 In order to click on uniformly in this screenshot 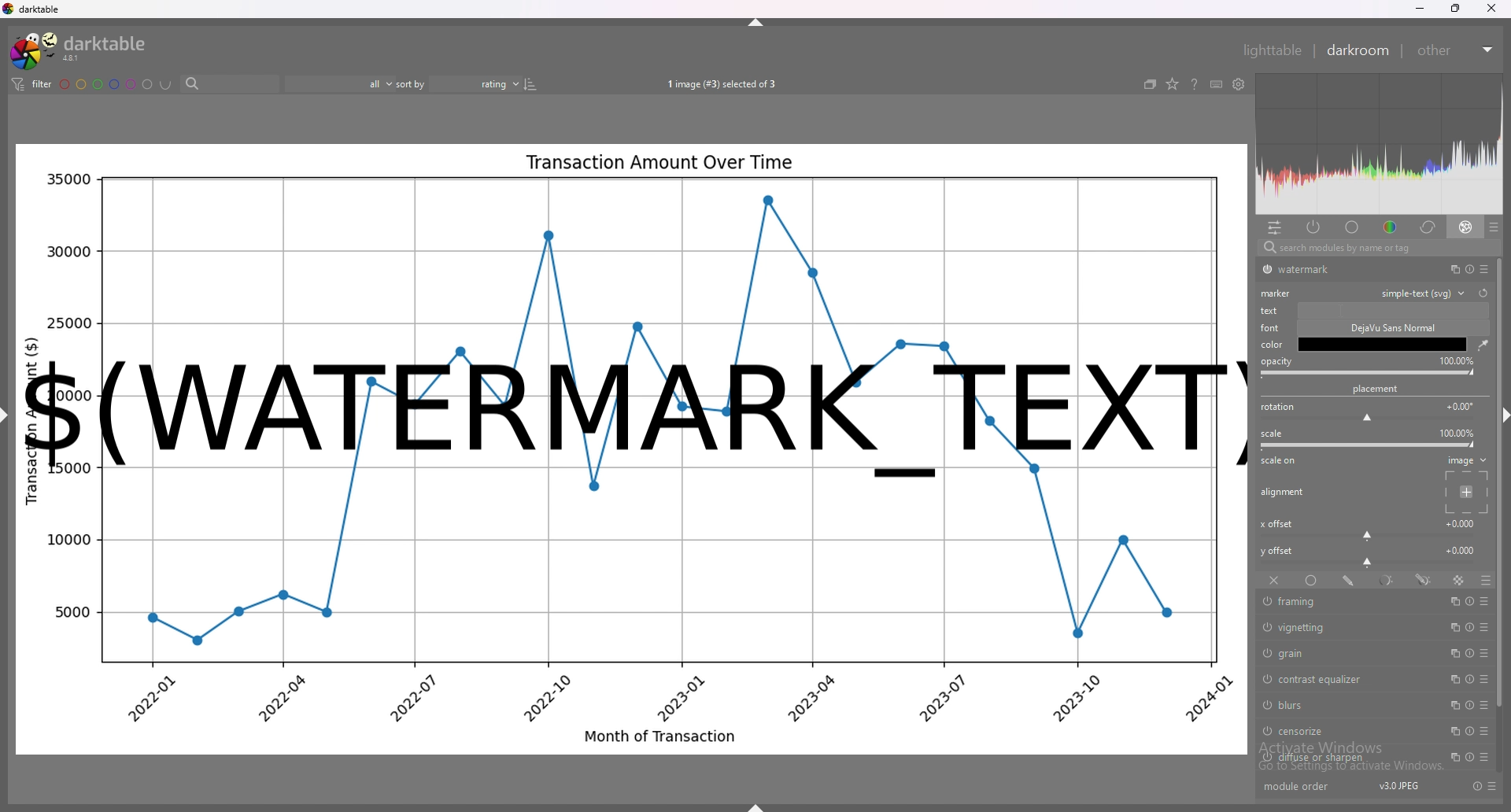, I will do `click(1311, 580)`.